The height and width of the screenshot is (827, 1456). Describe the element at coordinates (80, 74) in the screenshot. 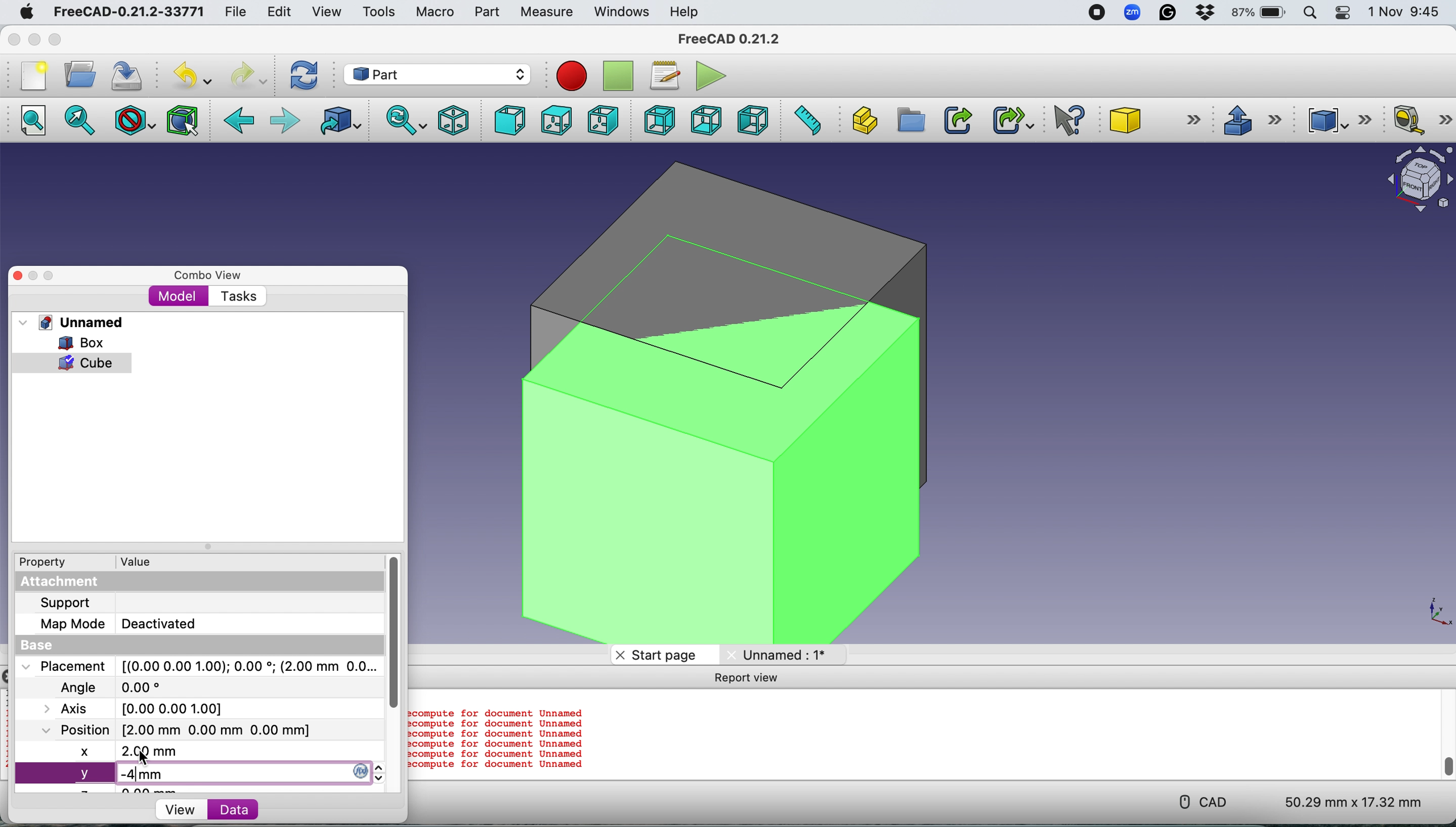

I see `Open` at that location.